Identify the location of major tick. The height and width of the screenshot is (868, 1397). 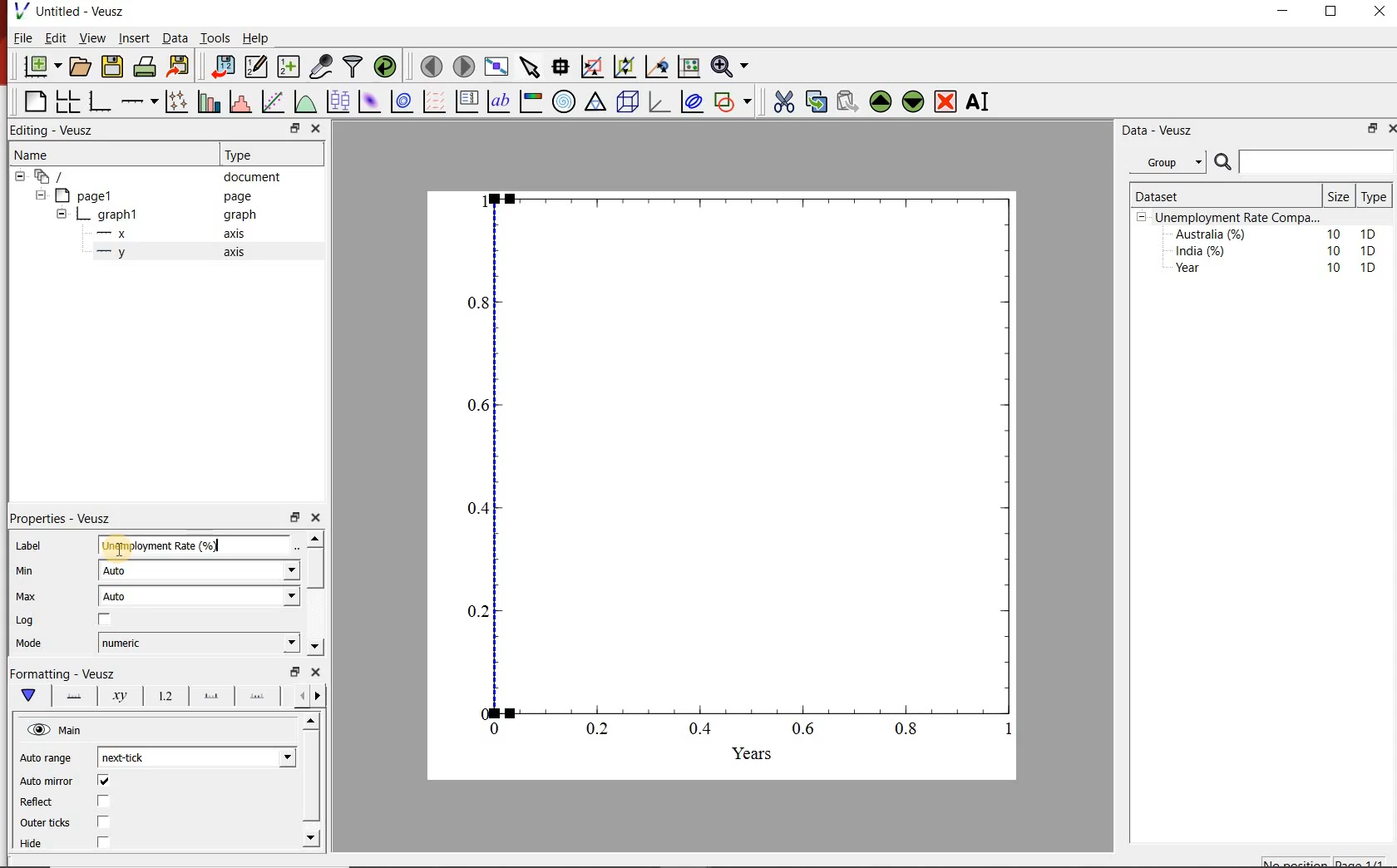
(211, 696).